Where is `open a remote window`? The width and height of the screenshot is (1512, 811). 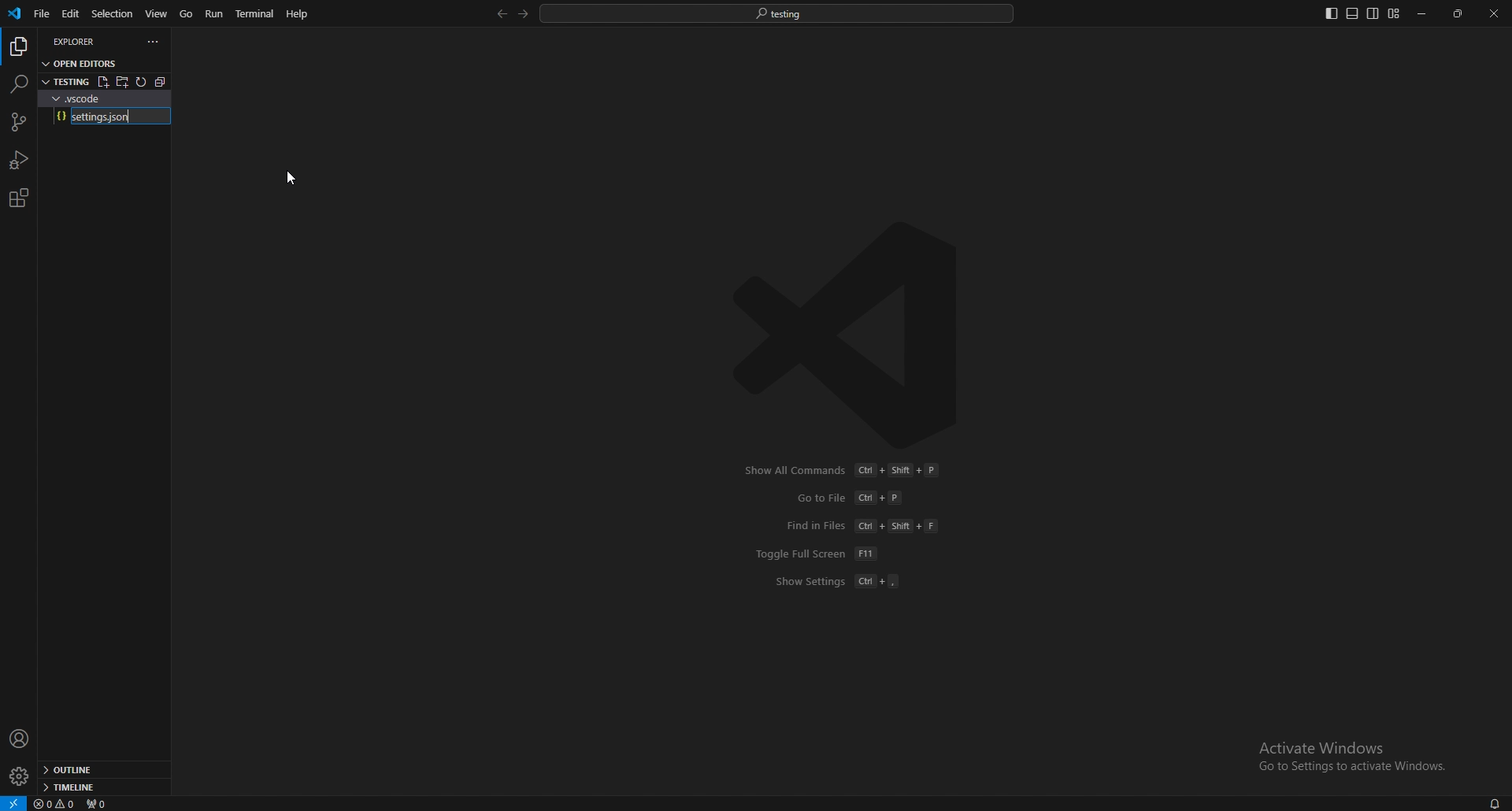 open a remote window is located at coordinates (13, 802).